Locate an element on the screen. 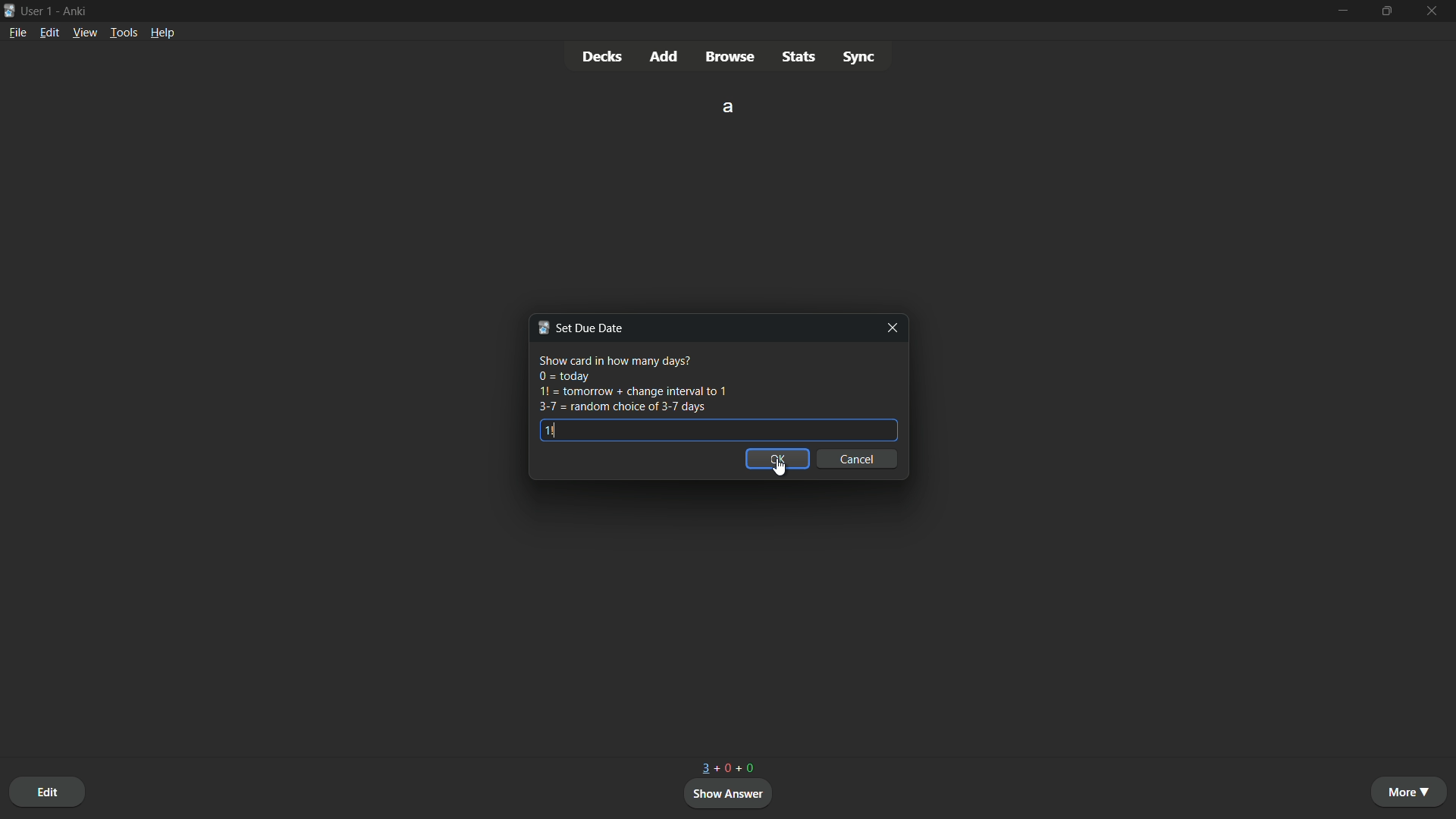  1! is located at coordinates (550, 430).